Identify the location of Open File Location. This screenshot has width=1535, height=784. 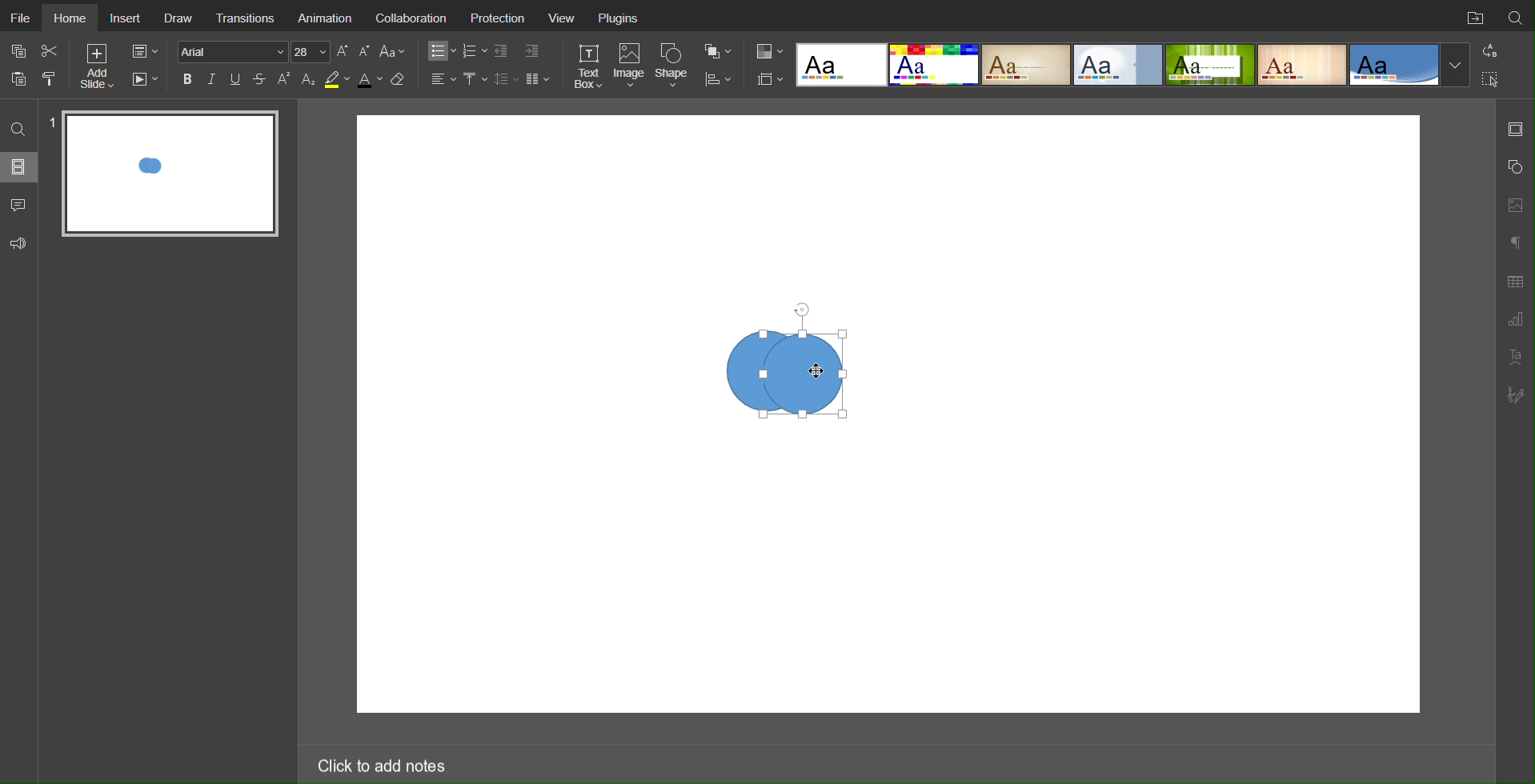
(1472, 16).